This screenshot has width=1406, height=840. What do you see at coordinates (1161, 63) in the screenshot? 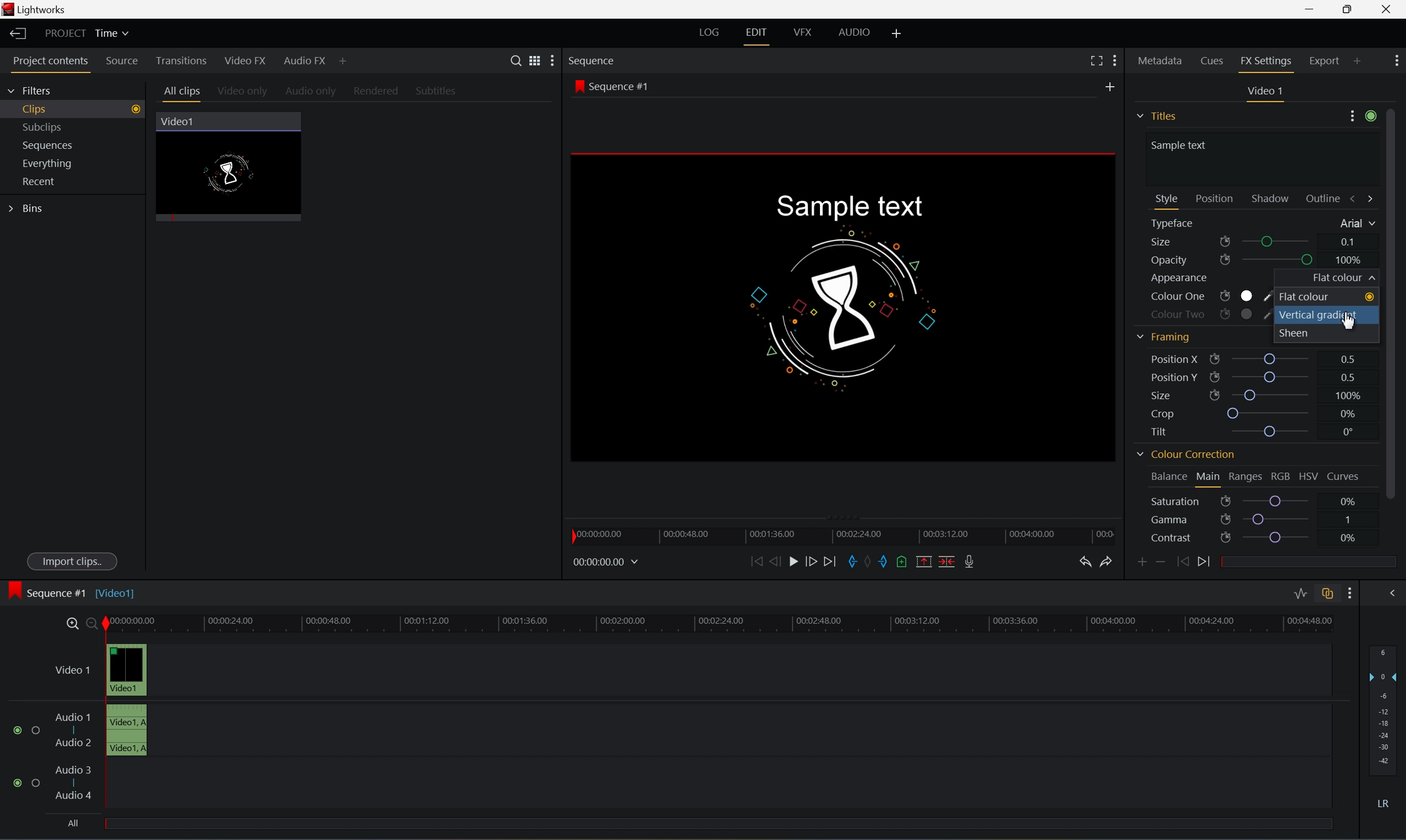
I see `metadata` at bounding box center [1161, 63].